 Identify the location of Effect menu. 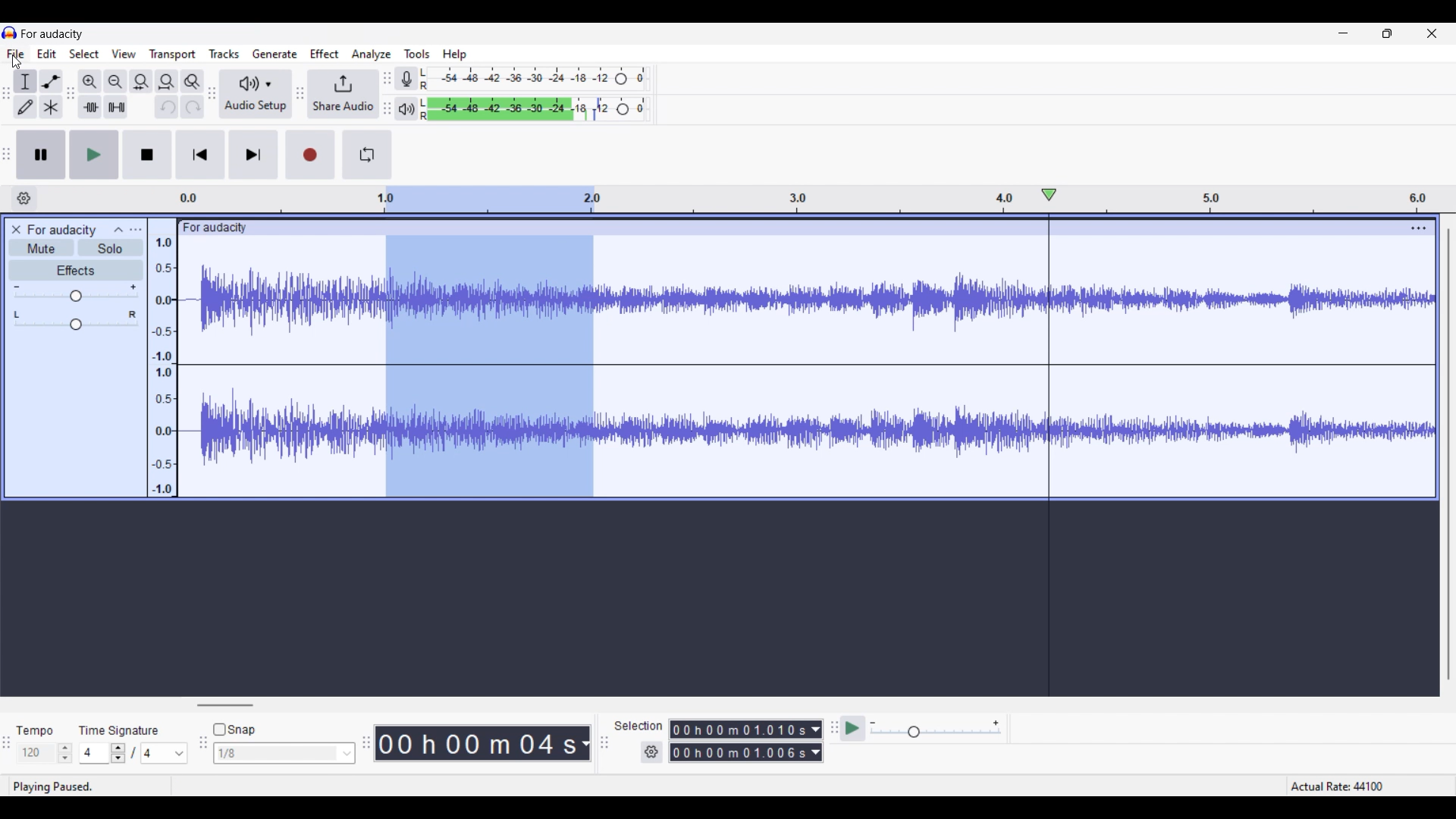
(324, 54).